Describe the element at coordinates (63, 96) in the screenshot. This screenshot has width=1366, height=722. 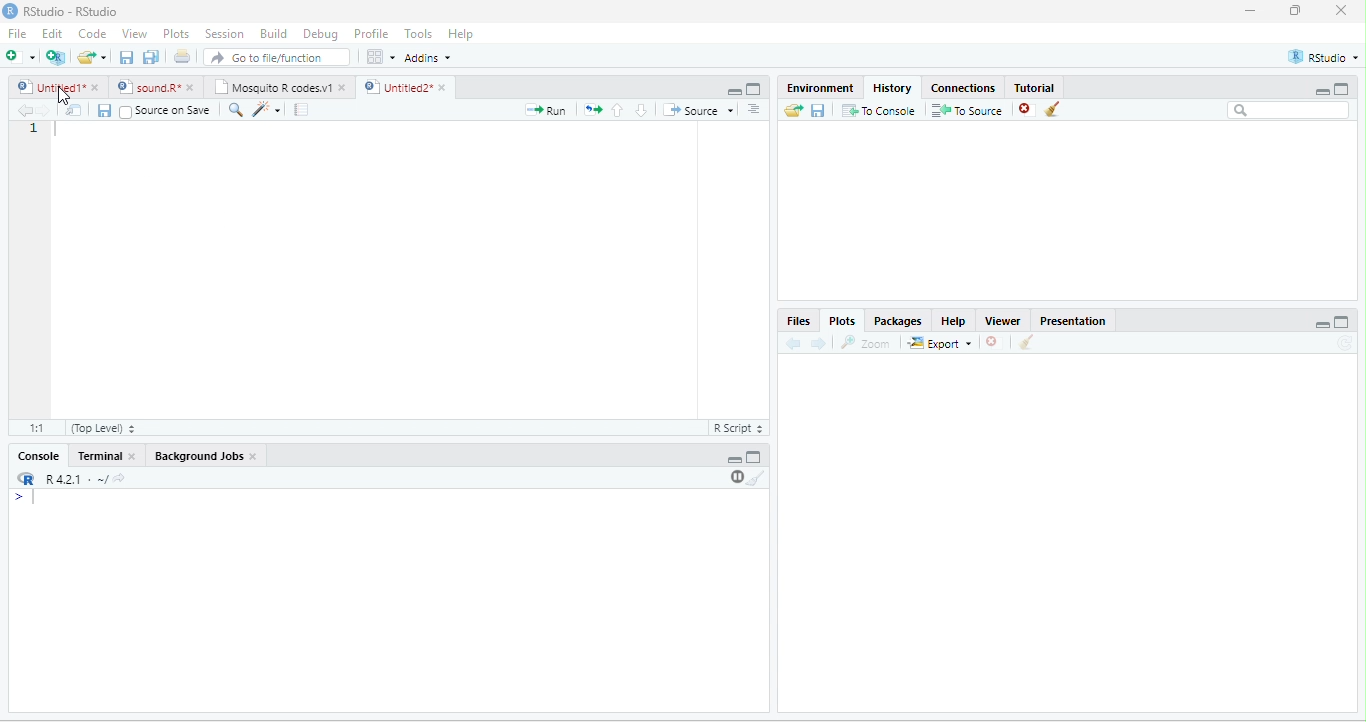
I see `cursor` at that location.